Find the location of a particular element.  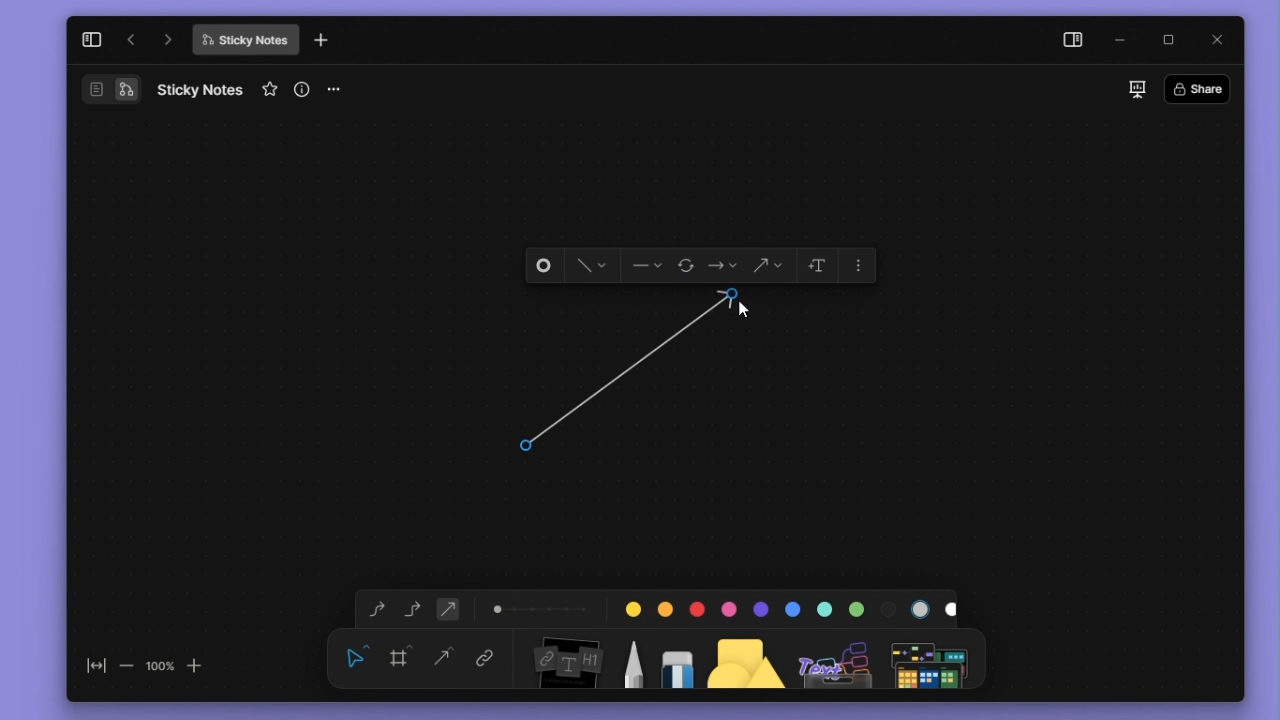

file name is located at coordinates (200, 89).